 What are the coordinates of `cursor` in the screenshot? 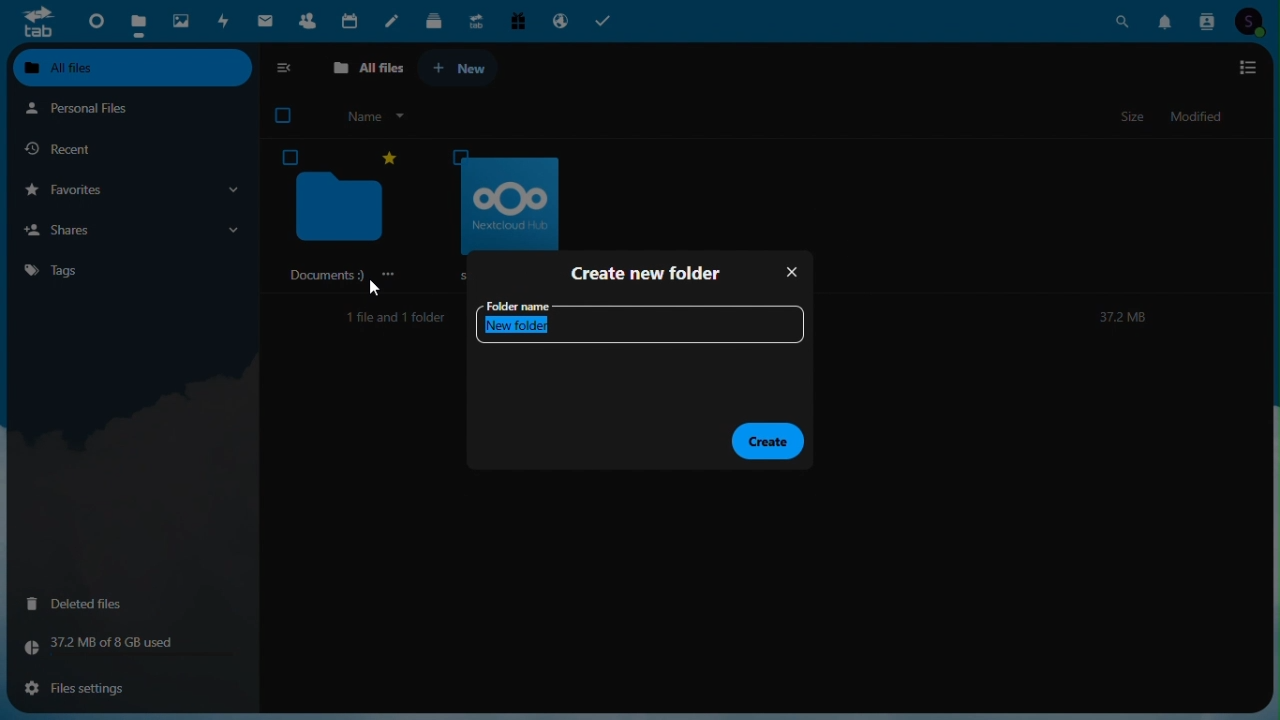 It's located at (376, 287).